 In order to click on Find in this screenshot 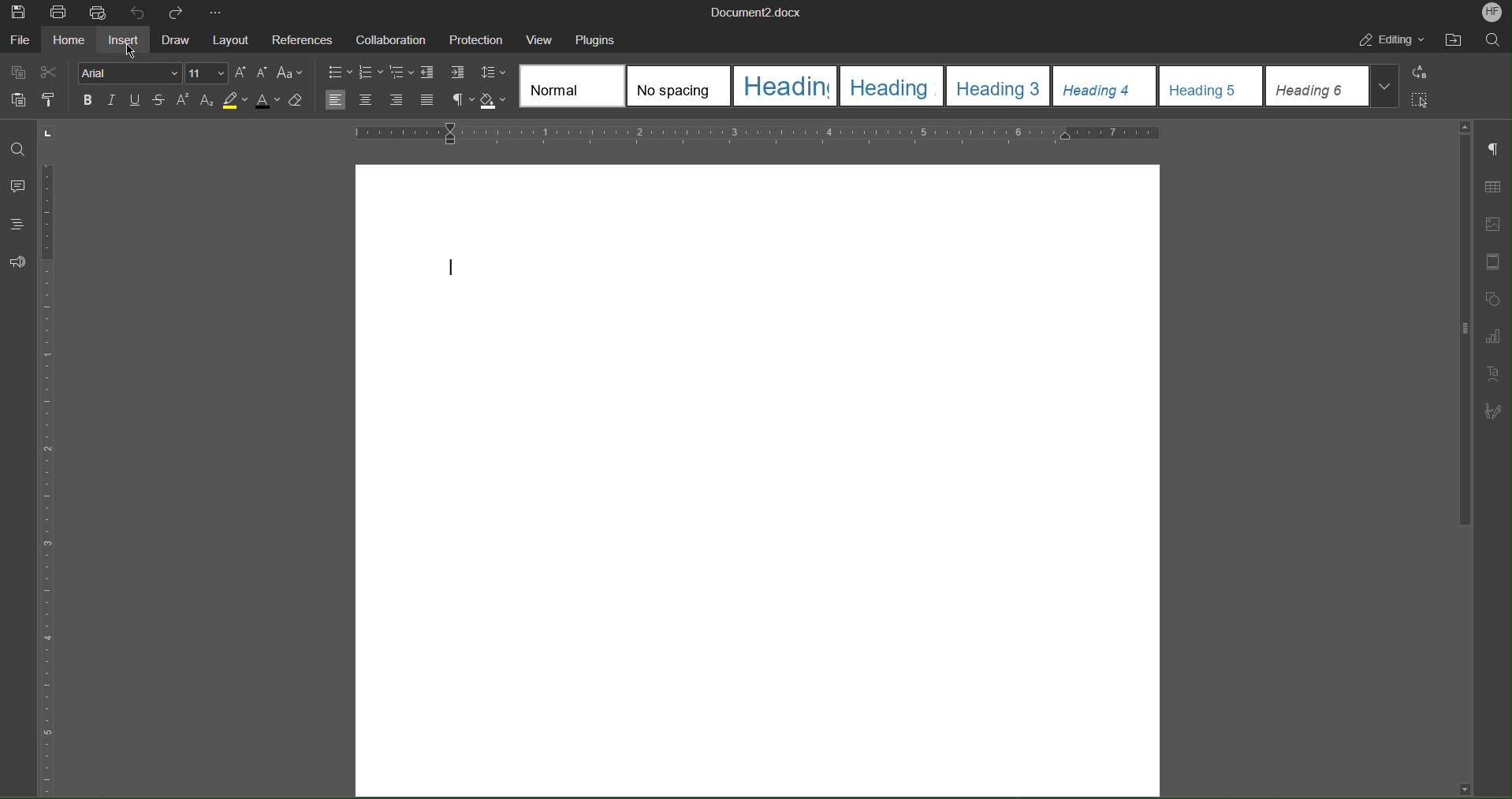, I will do `click(20, 150)`.